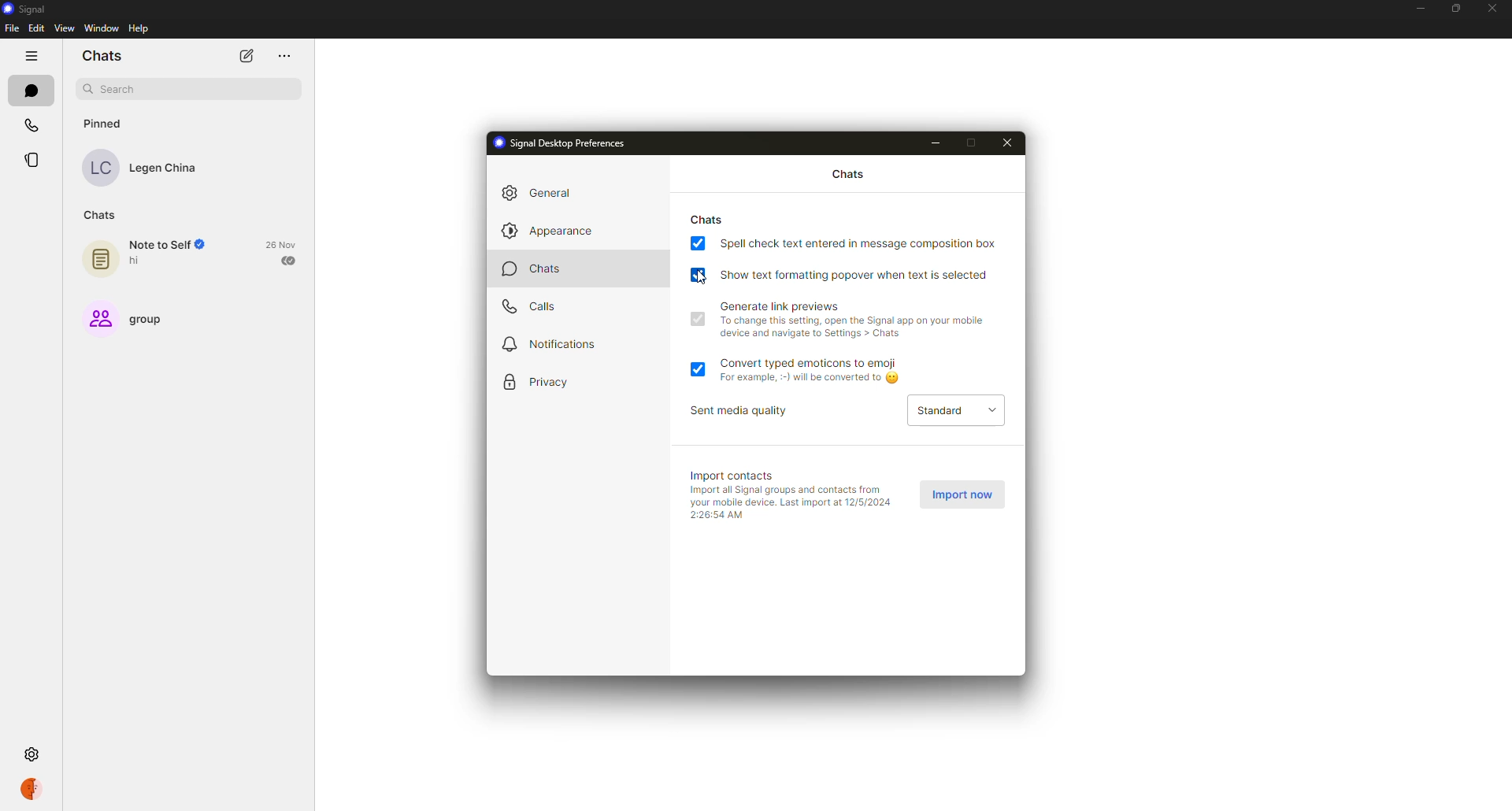 This screenshot has height=811, width=1512. I want to click on help, so click(139, 29).